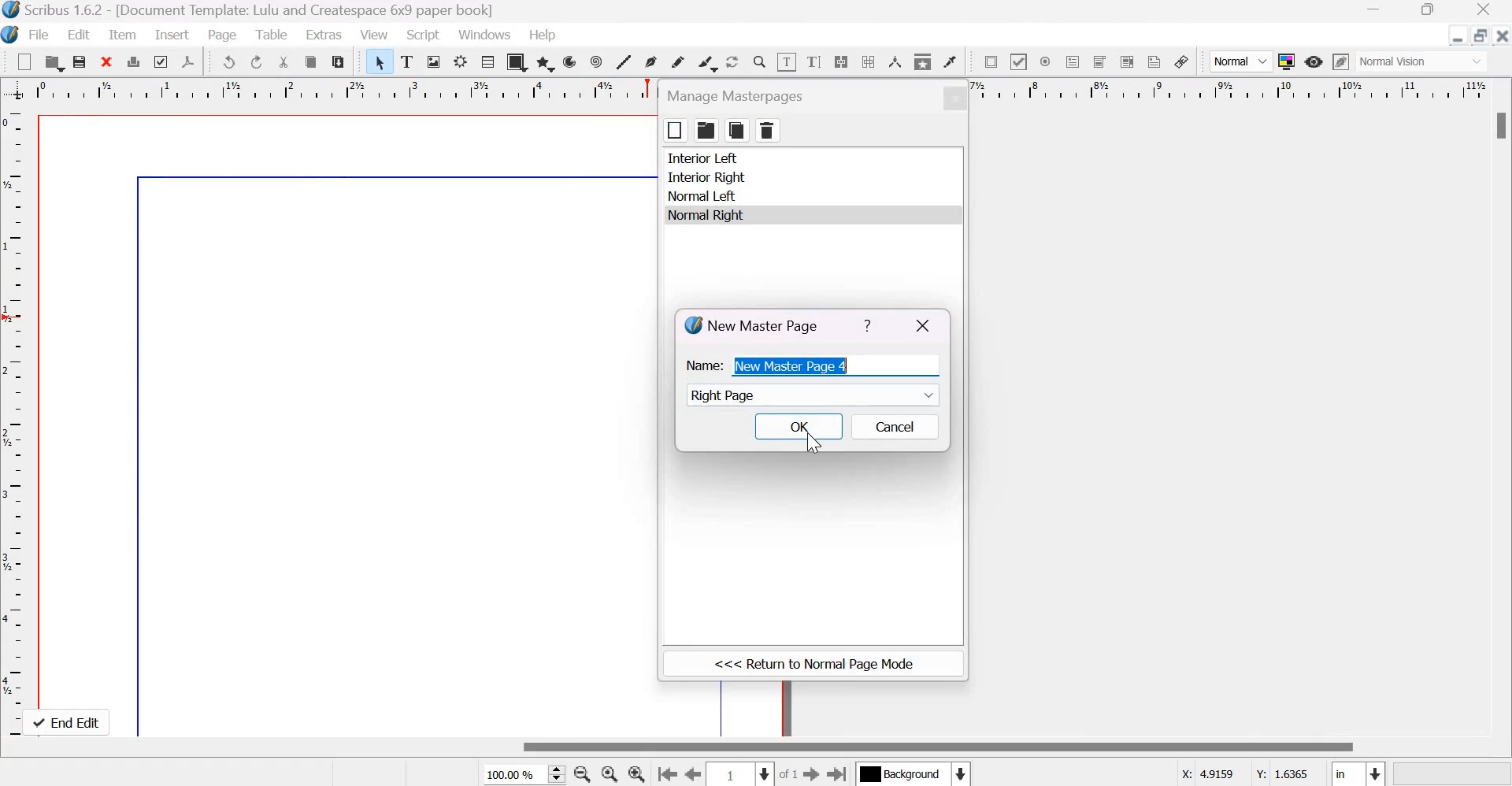 This screenshot has width=1512, height=786. Describe the element at coordinates (895, 63) in the screenshot. I see `Measurements` at that location.